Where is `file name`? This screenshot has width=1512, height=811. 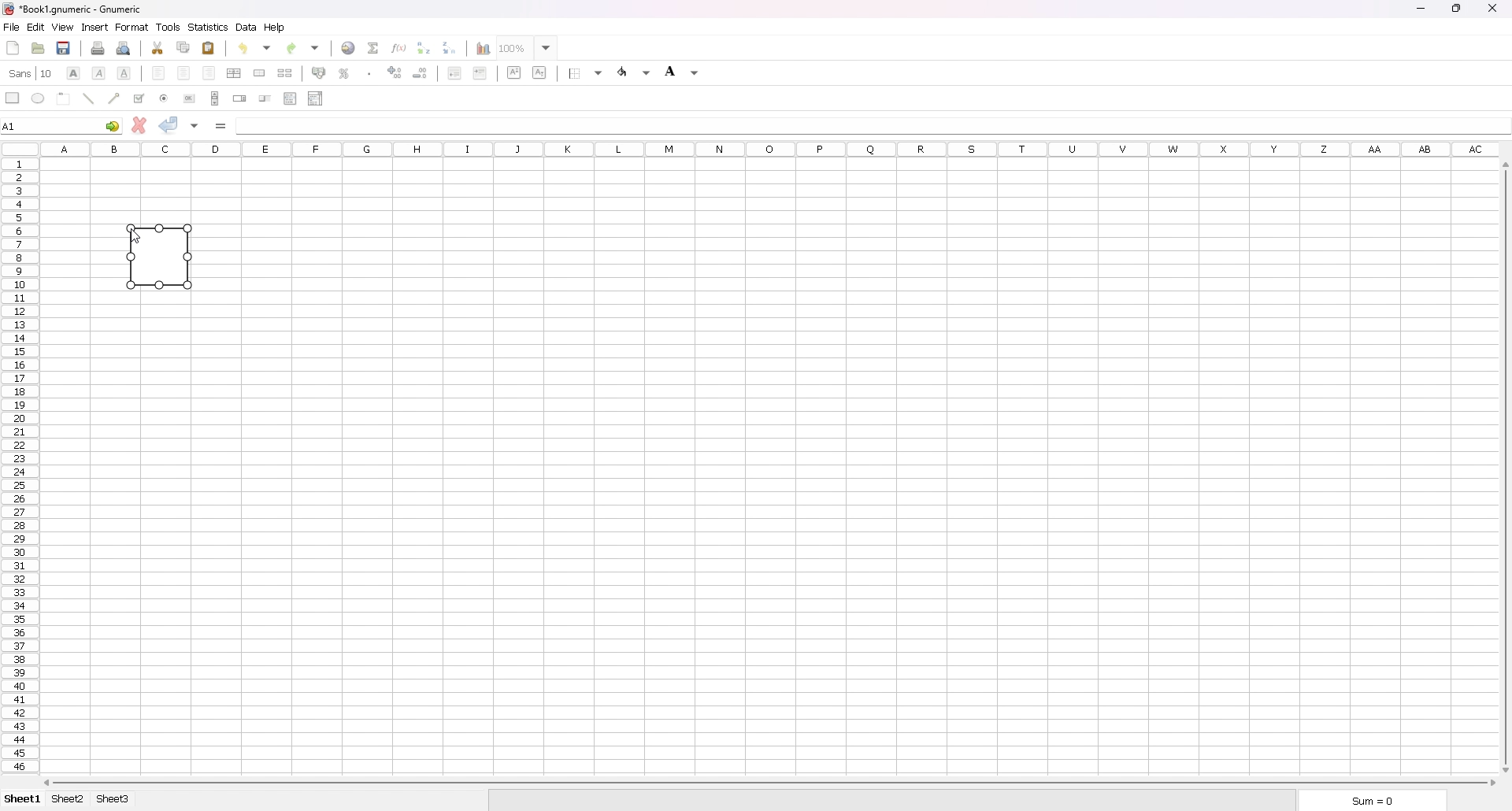
file name is located at coordinates (69, 8).